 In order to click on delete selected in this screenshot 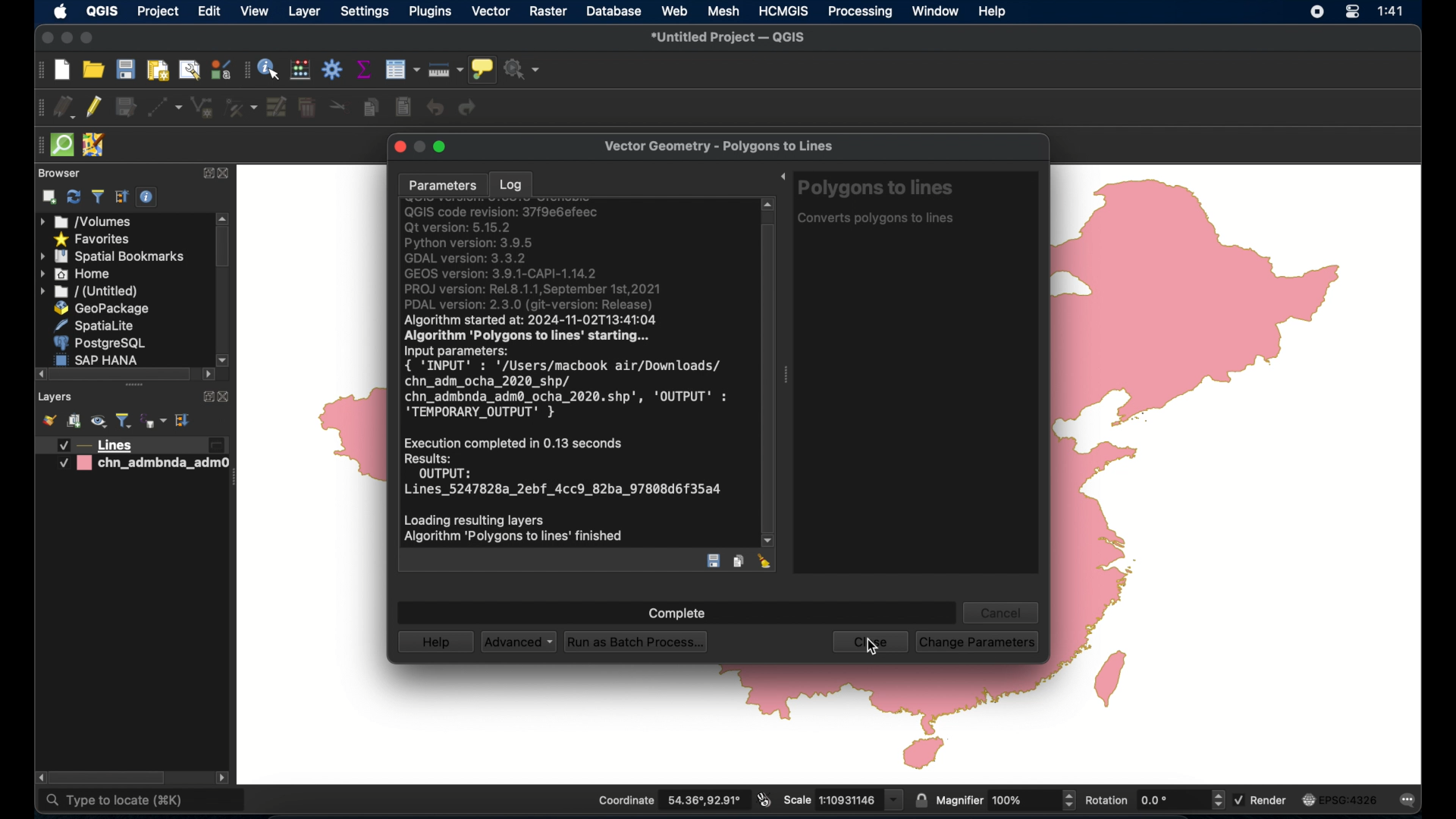, I will do `click(306, 108)`.